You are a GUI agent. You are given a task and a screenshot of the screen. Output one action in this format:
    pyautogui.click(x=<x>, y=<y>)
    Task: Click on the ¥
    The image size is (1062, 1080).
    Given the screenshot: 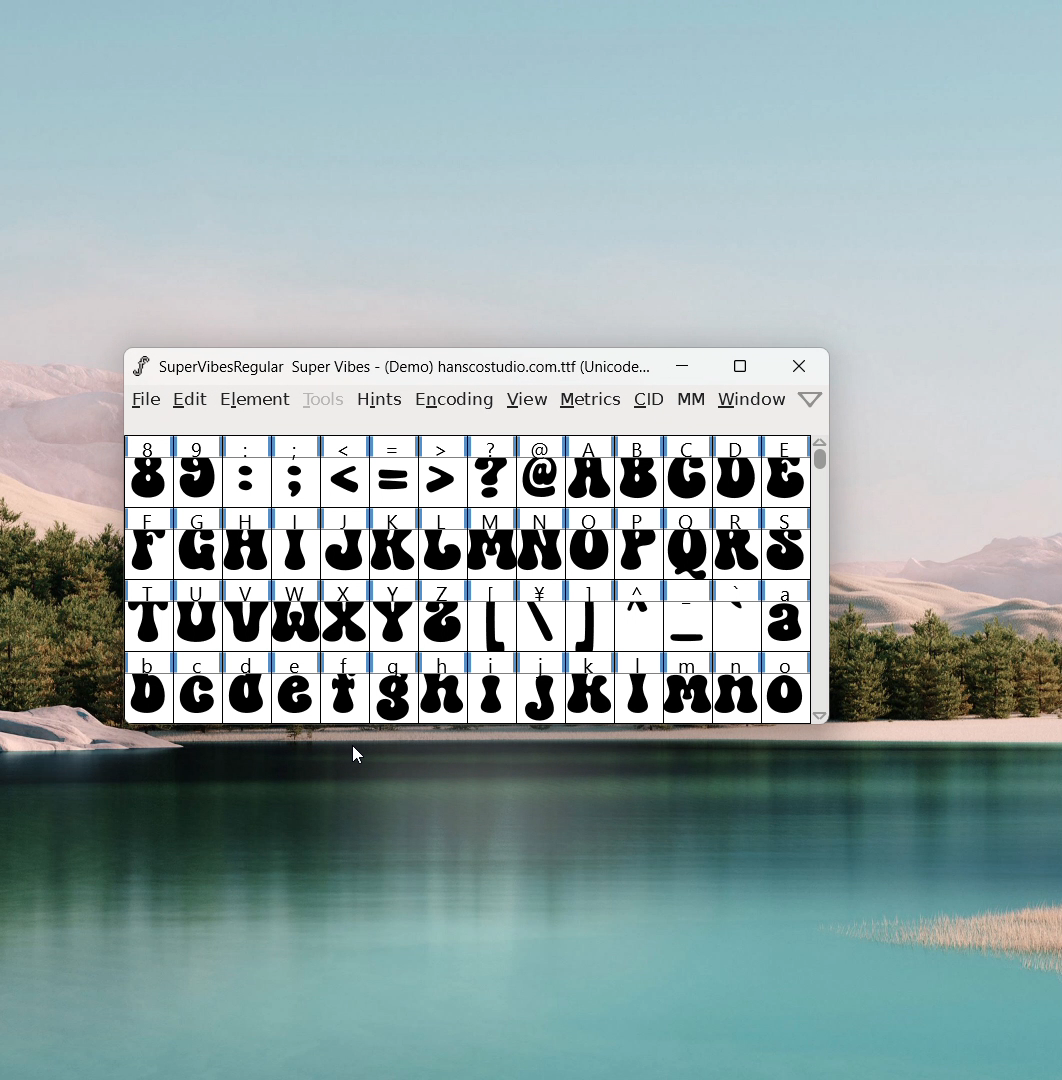 What is the action you would take?
    pyautogui.click(x=543, y=616)
    